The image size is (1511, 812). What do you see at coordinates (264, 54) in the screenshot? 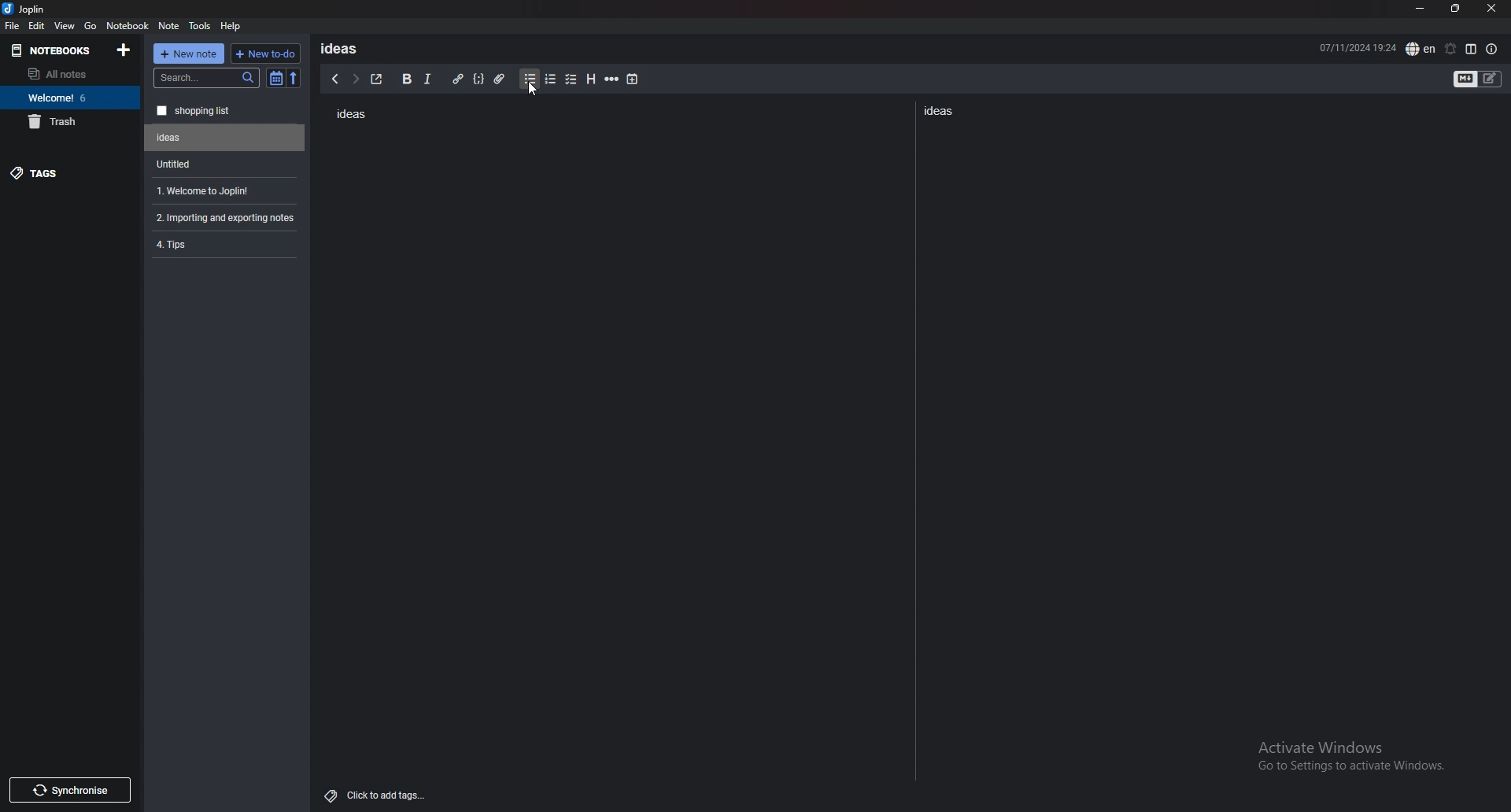
I see `new todo` at bounding box center [264, 54].